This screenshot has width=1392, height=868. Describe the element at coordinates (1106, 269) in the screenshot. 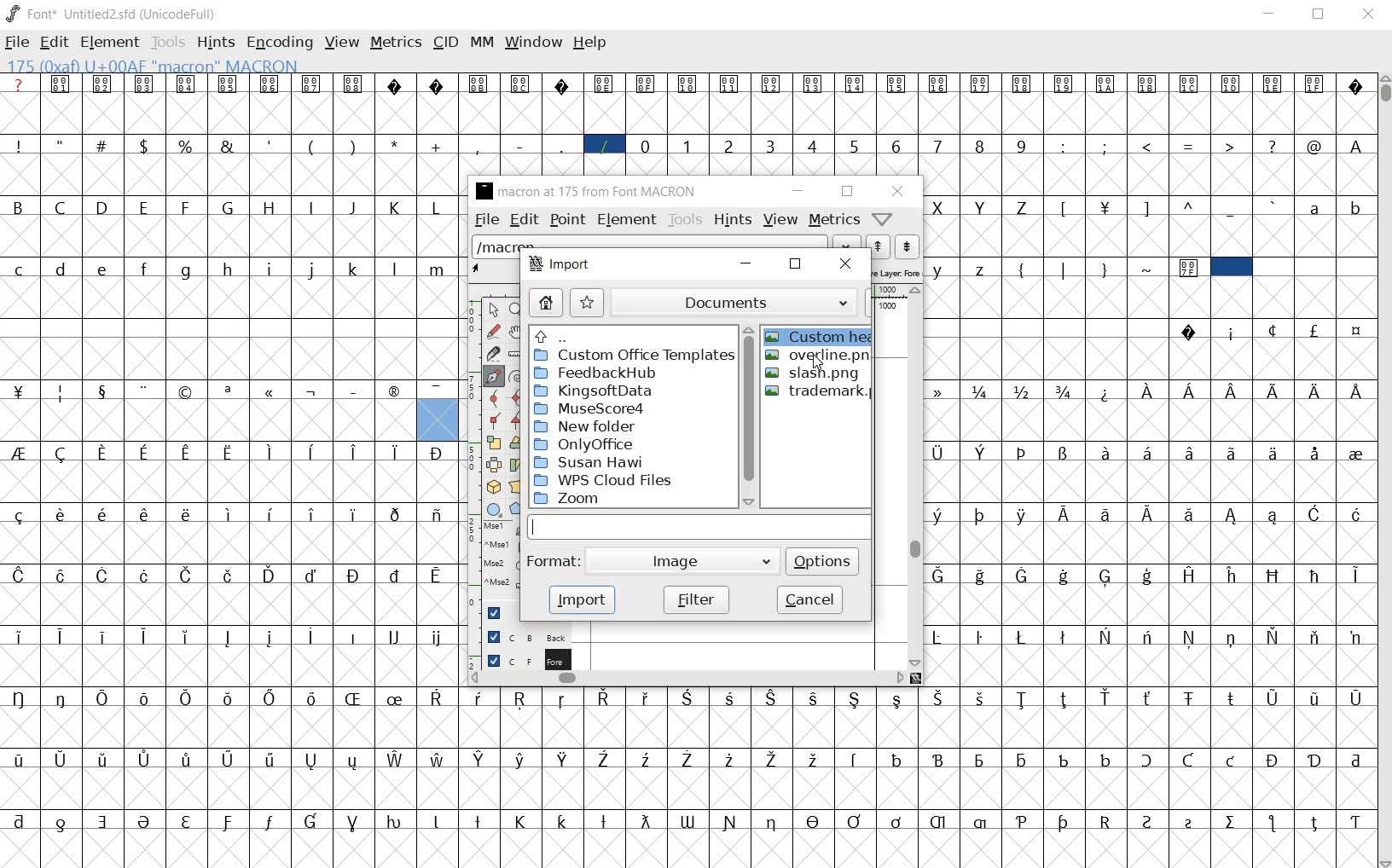

I see `}` at that location.